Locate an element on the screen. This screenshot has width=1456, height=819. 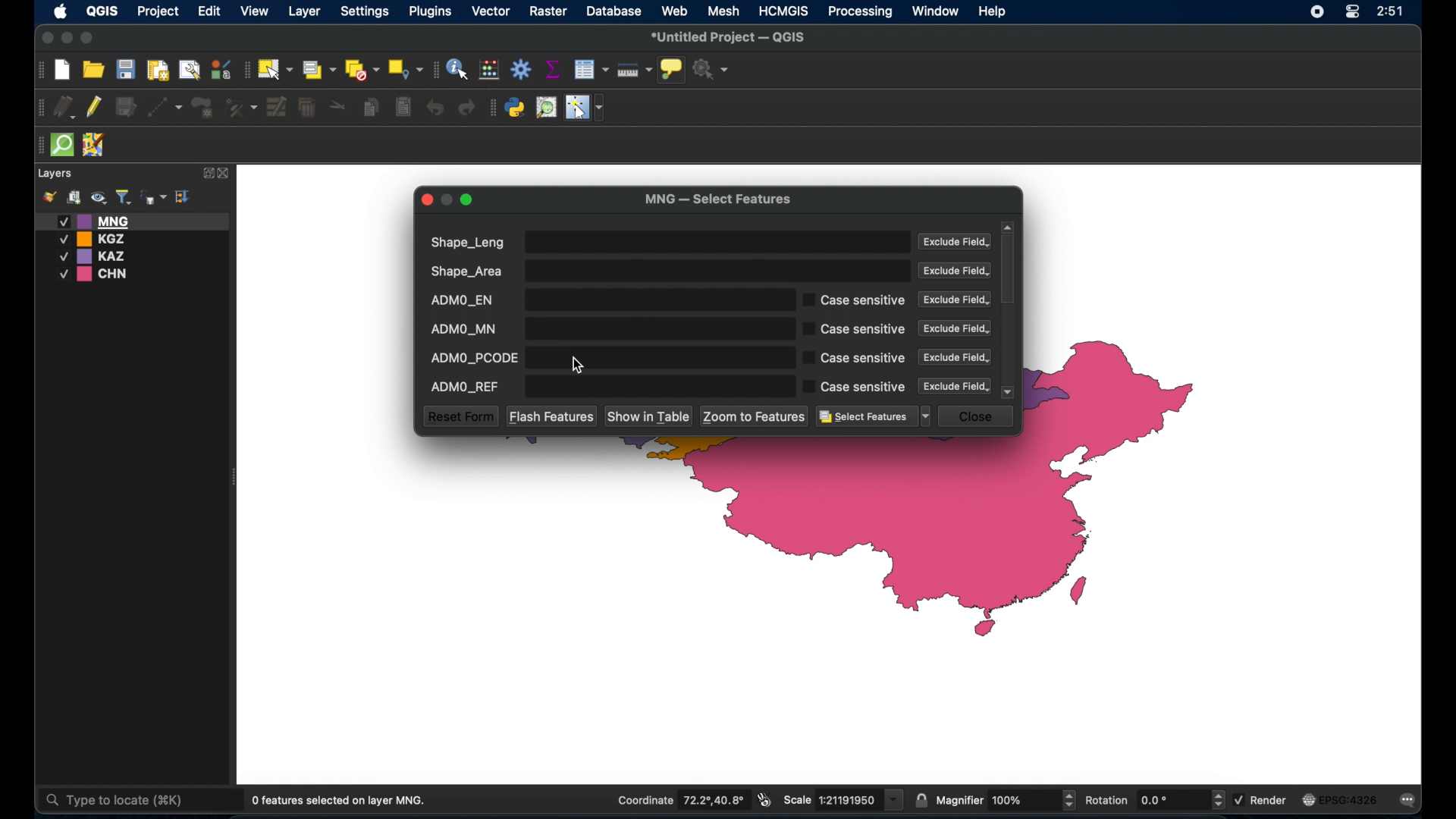
select by area or single click is located at coordinates (316, 68).